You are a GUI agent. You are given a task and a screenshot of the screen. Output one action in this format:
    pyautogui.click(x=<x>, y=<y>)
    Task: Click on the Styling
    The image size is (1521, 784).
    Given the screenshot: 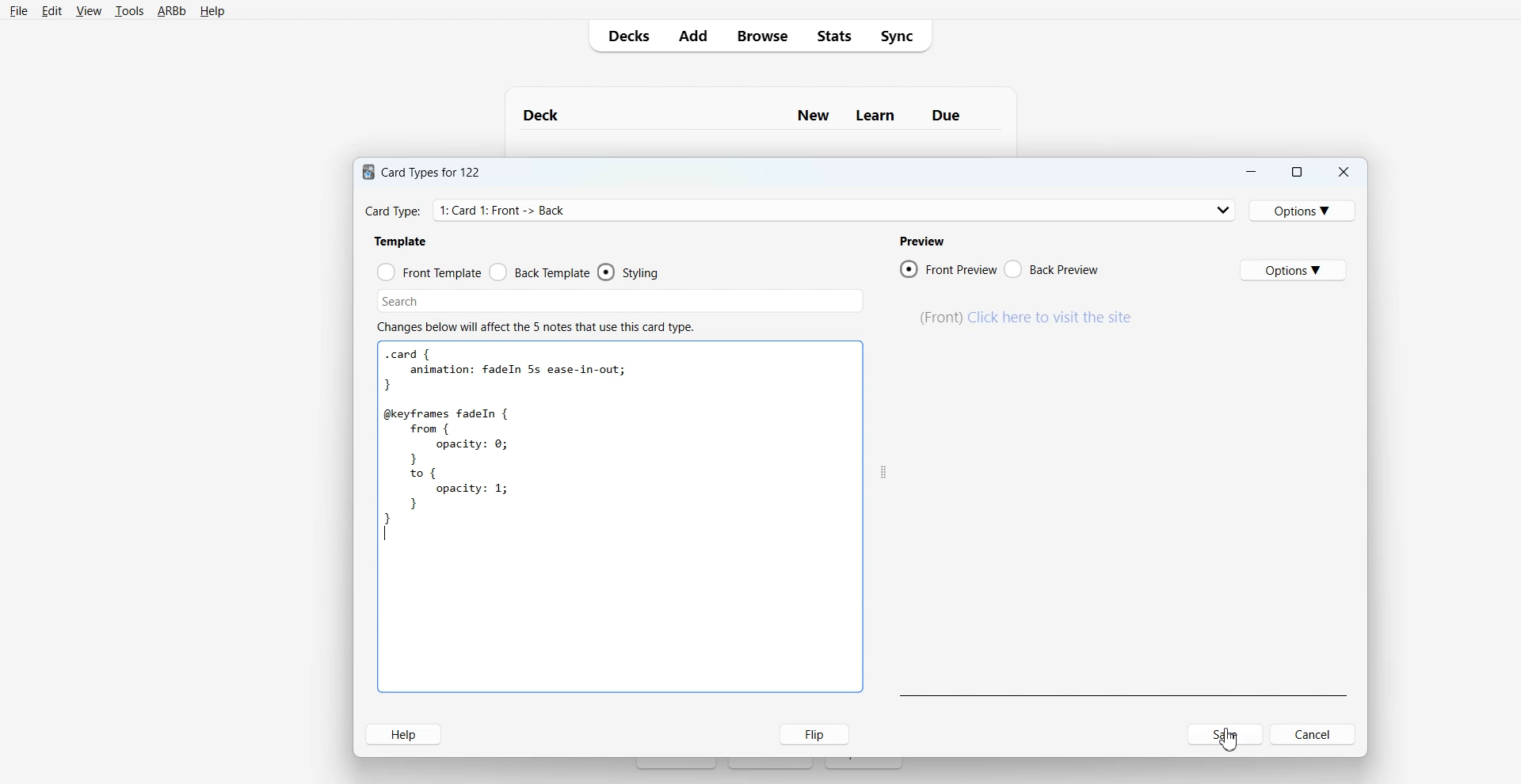 What is the action you would take?
    pyautogui.click(x=631, y=272)
    